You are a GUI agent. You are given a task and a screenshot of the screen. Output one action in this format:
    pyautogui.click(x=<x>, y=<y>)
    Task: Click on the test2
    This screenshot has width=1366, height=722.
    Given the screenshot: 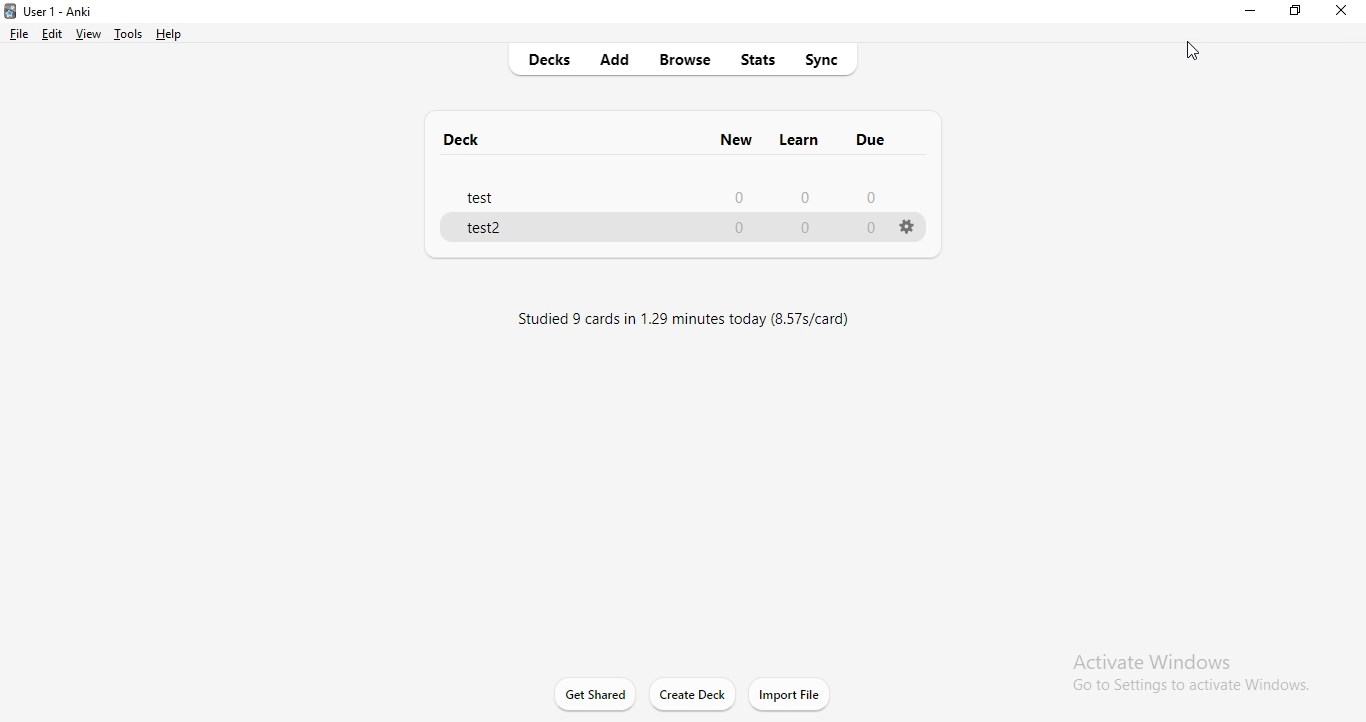 What is the action you would take?
    pyautogui.click(x=486, y=231)
    